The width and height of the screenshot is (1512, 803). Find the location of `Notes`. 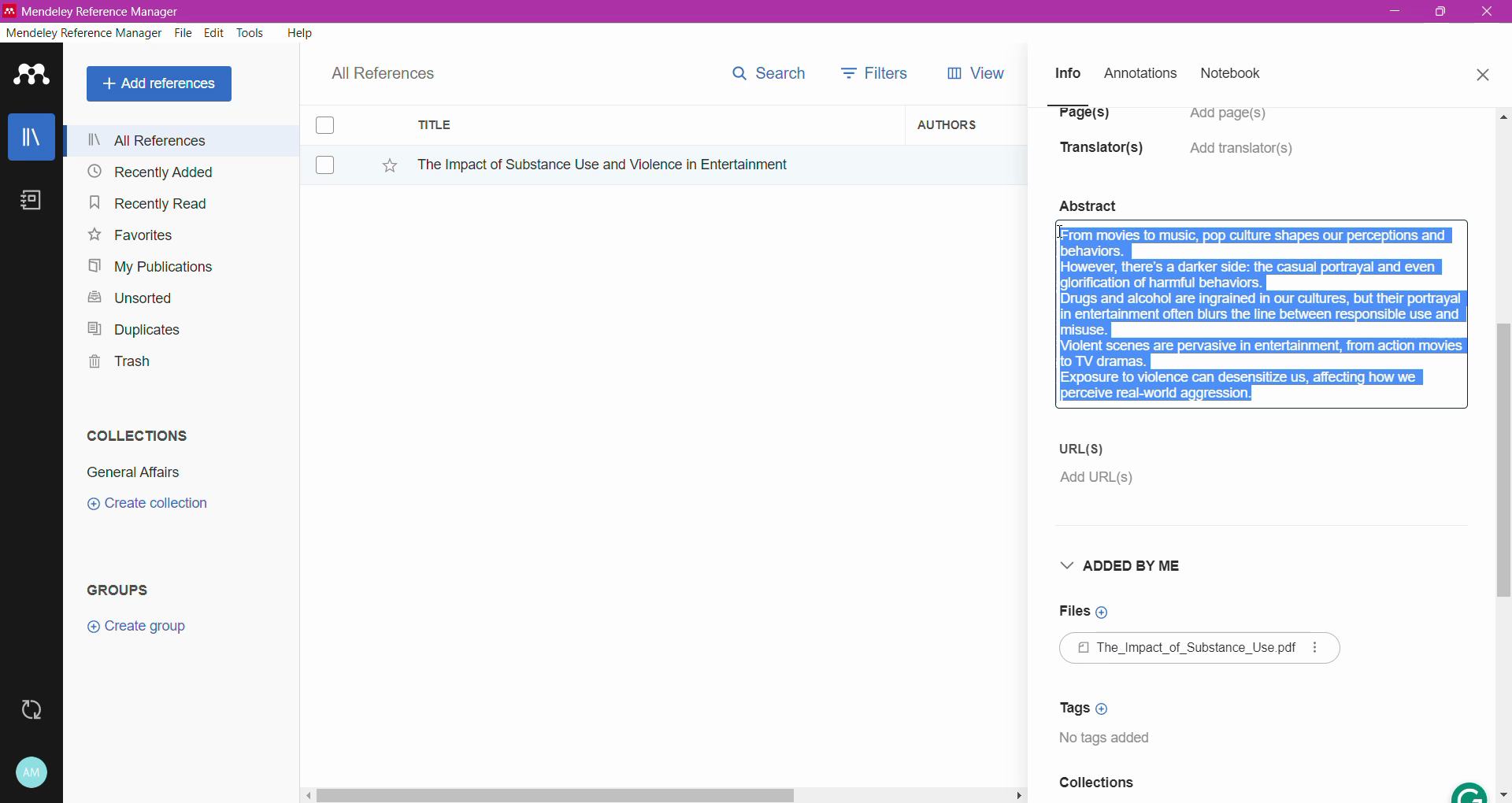

Notes is located at coordinates (35, 202).